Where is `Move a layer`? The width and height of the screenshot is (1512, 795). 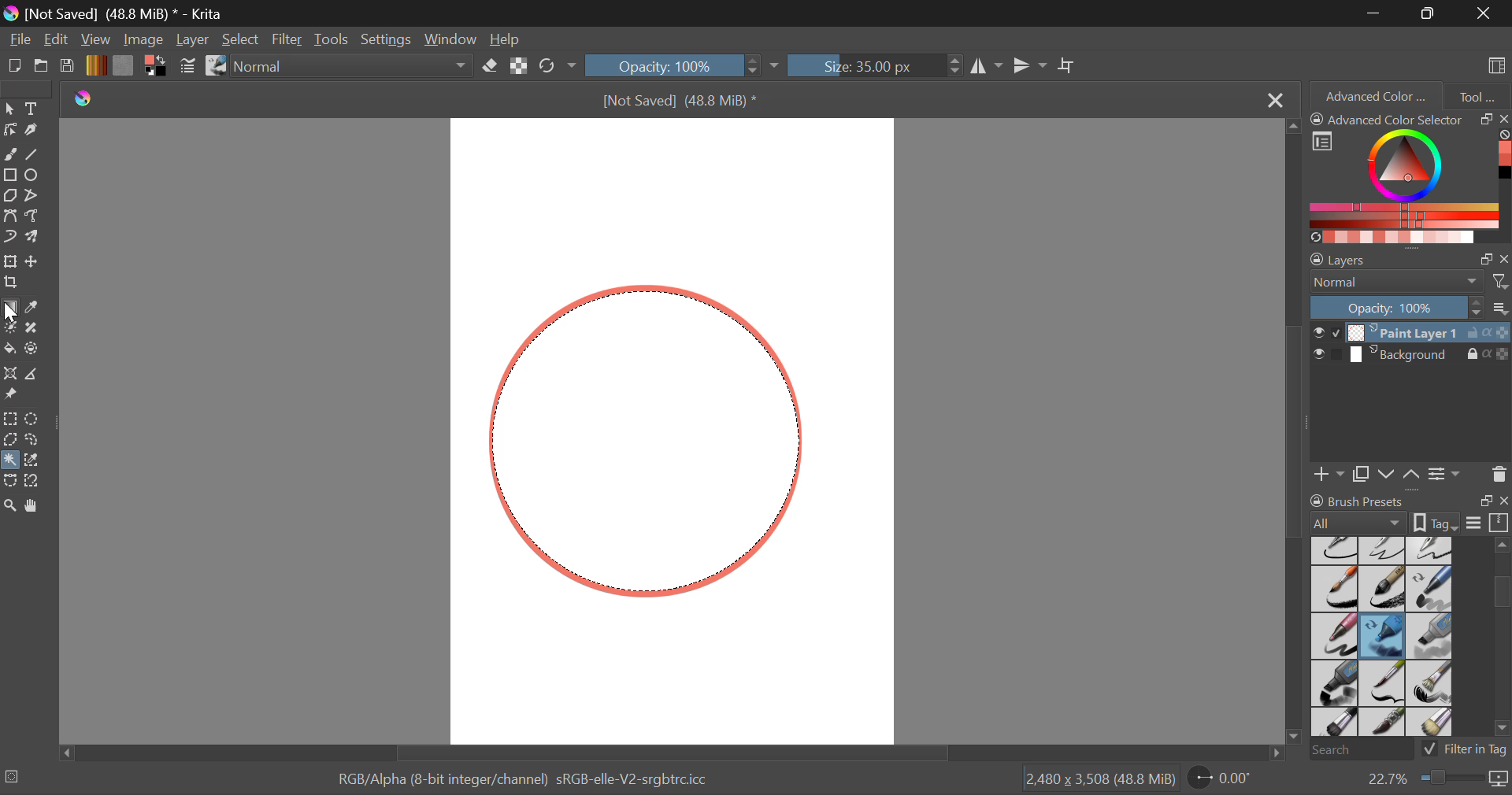 Move a layer is located at coordinates (34, 261).